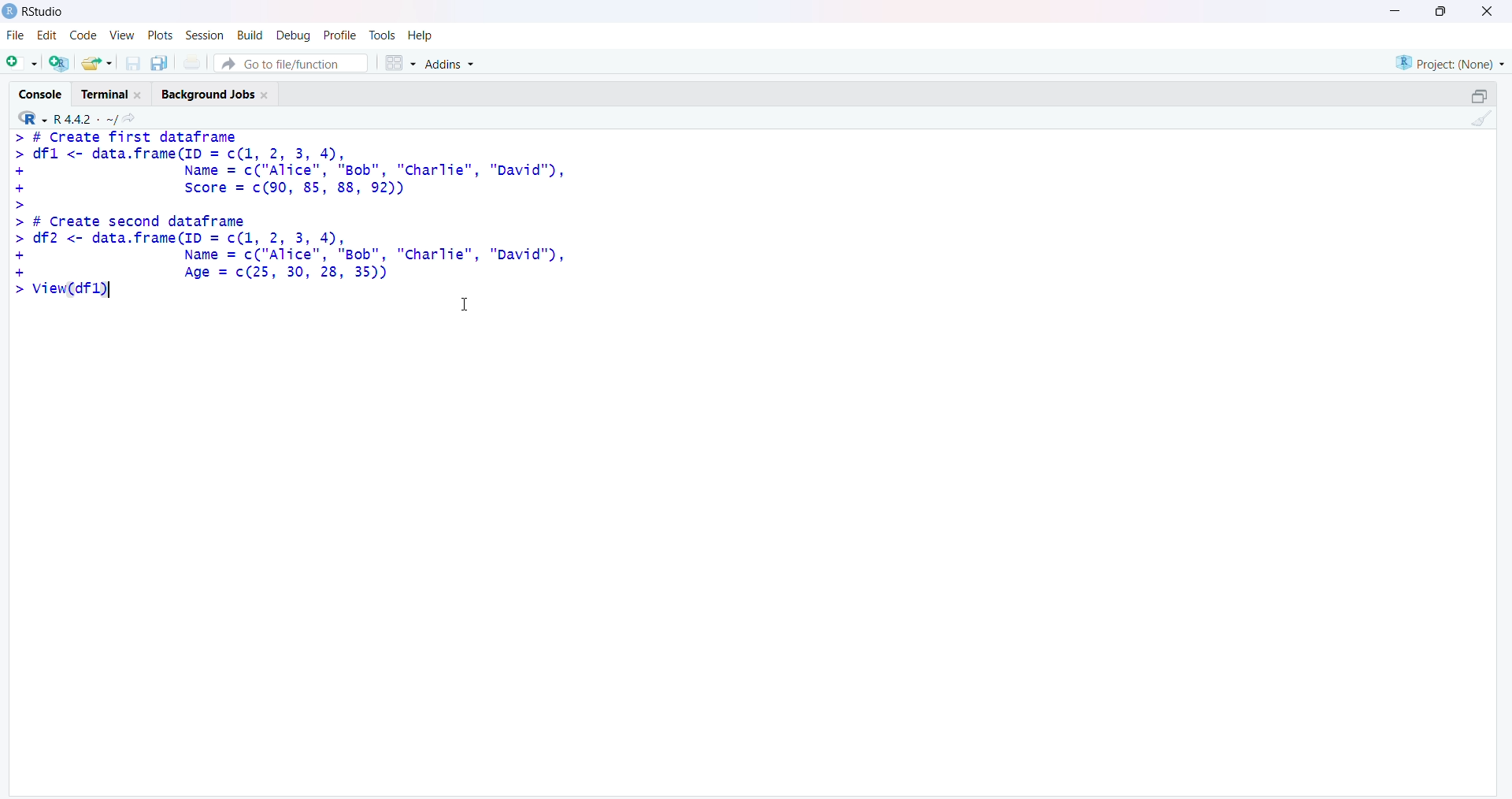  I want to click on copy, so click(159, 63).